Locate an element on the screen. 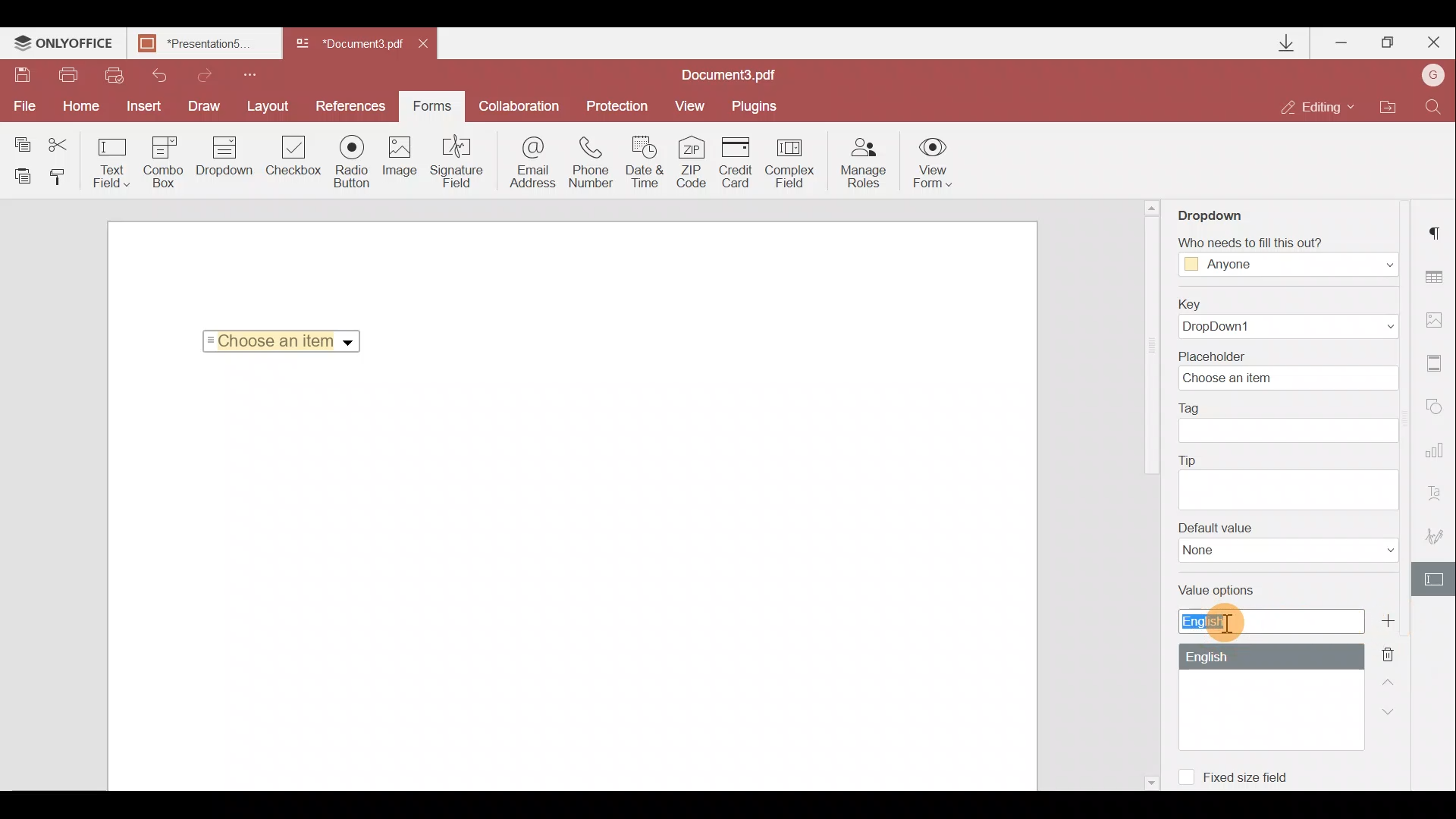  Signature settings is located at coordinates (1438, 540).